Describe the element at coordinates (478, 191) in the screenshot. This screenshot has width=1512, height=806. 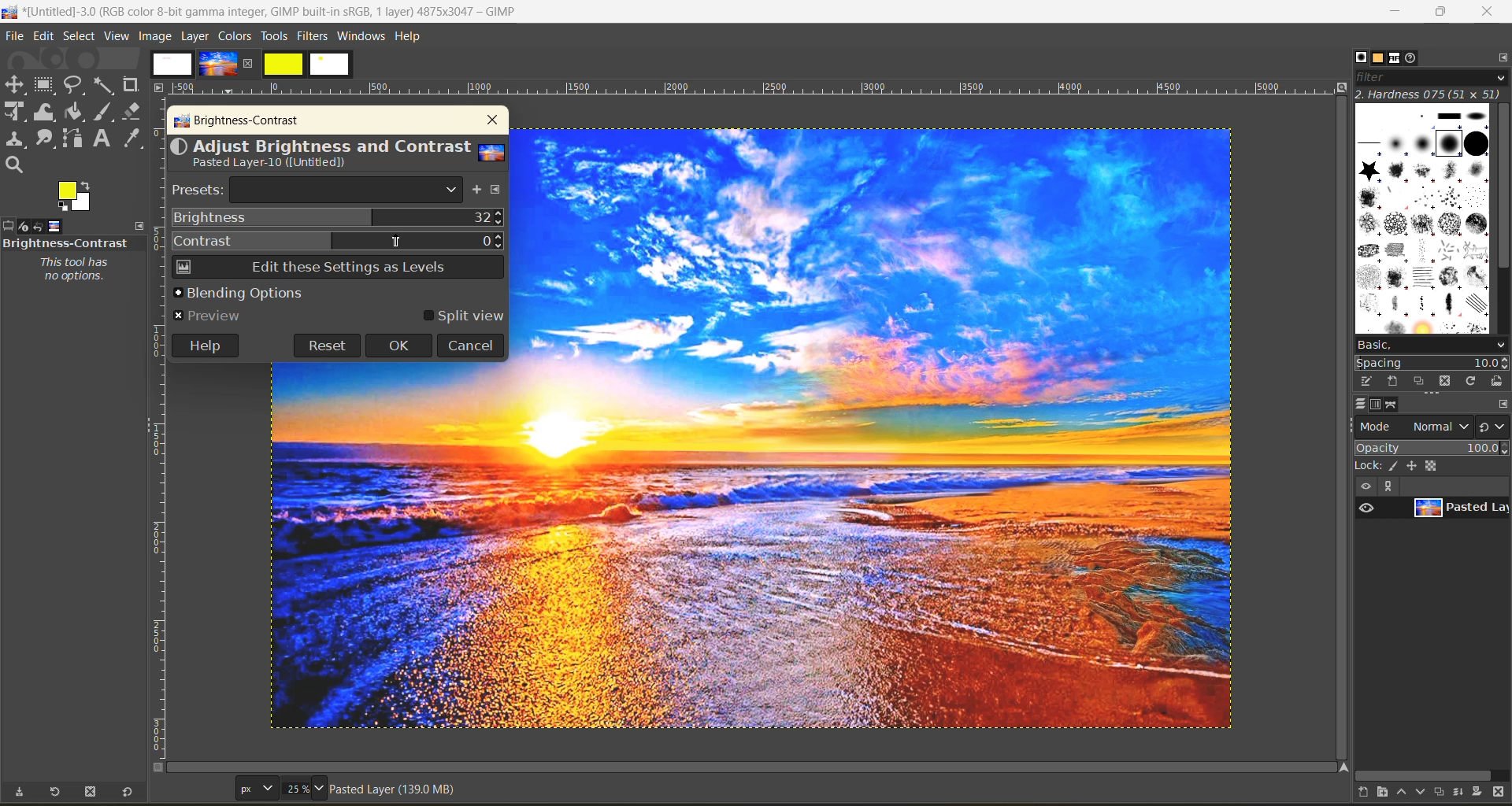
I see `add preset` at that location.